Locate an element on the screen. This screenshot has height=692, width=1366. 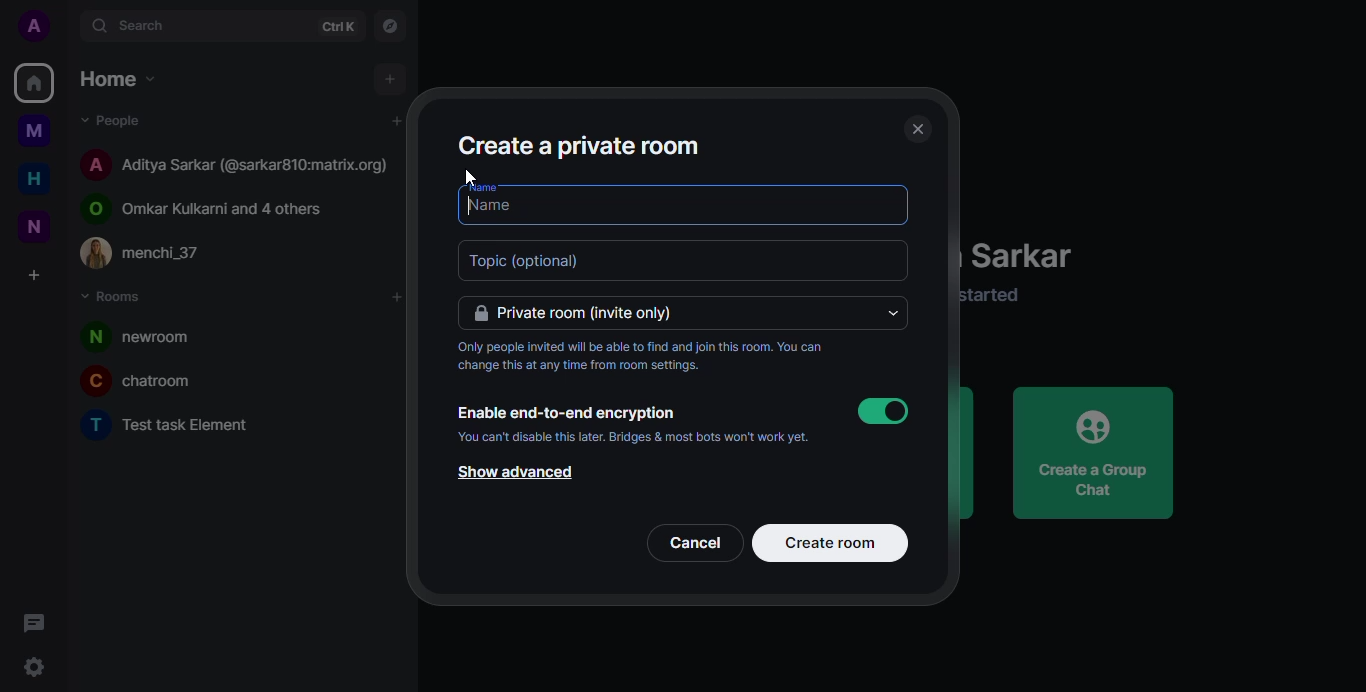
Test task element is located at coordinates (175, 427).